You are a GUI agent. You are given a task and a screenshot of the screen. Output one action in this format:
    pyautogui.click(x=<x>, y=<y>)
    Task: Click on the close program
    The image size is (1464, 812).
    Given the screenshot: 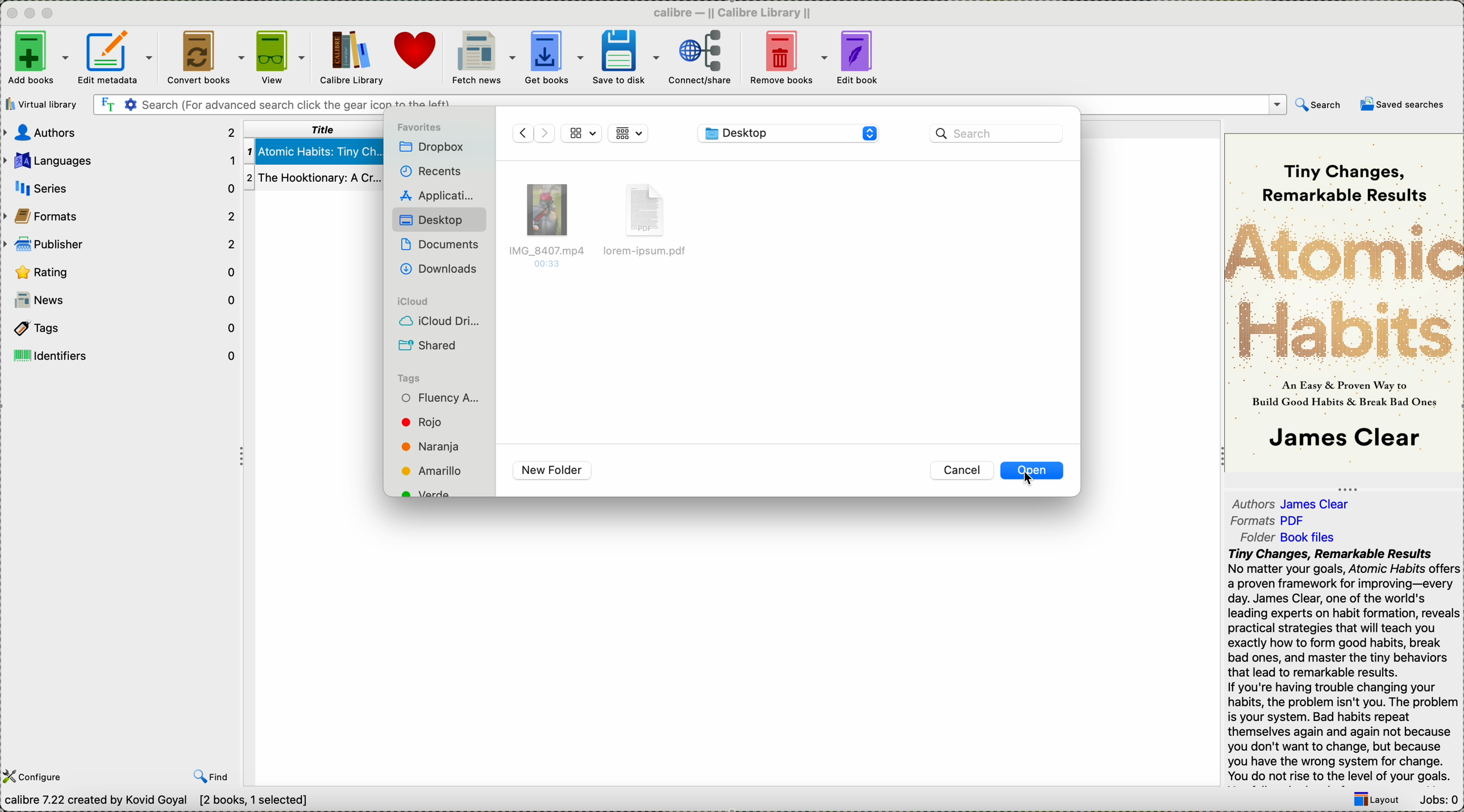 What is the action you would take?
    pyautogui.click(x=9, y=12)
    